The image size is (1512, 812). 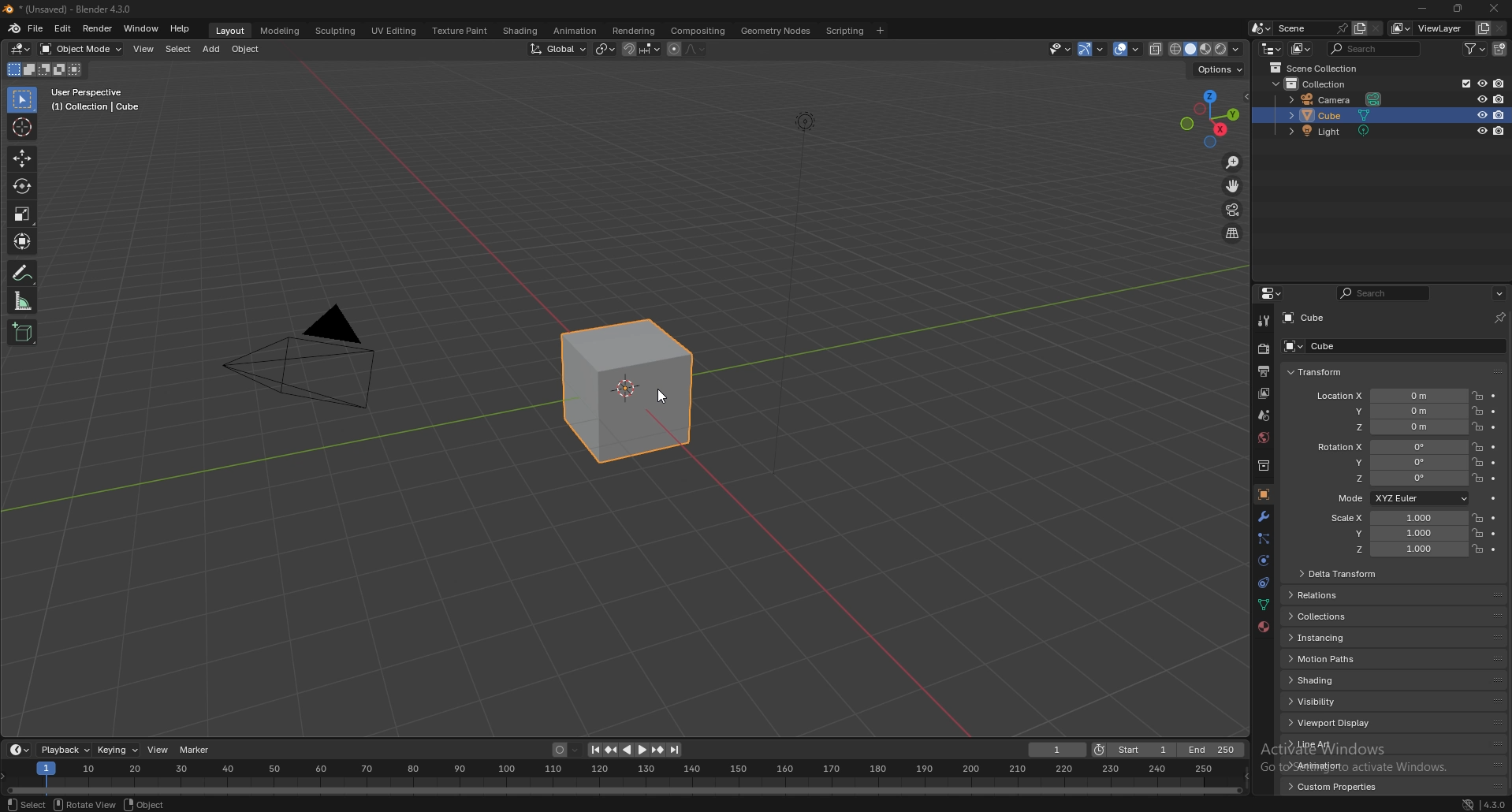 I want to click on select, so click(x=26, y=804).